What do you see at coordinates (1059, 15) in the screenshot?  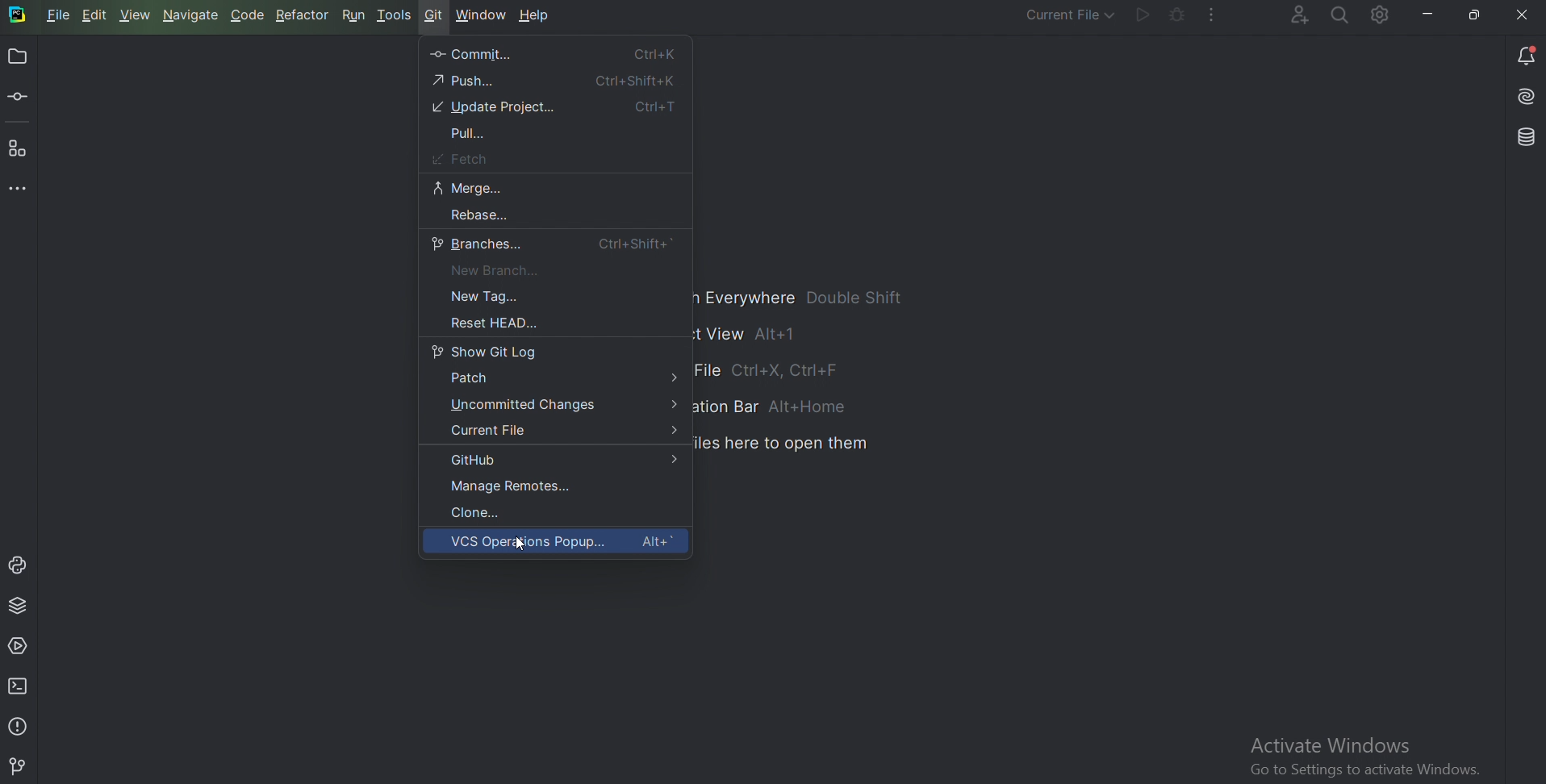 I see `Current file` at bounding box center [1059, 15].